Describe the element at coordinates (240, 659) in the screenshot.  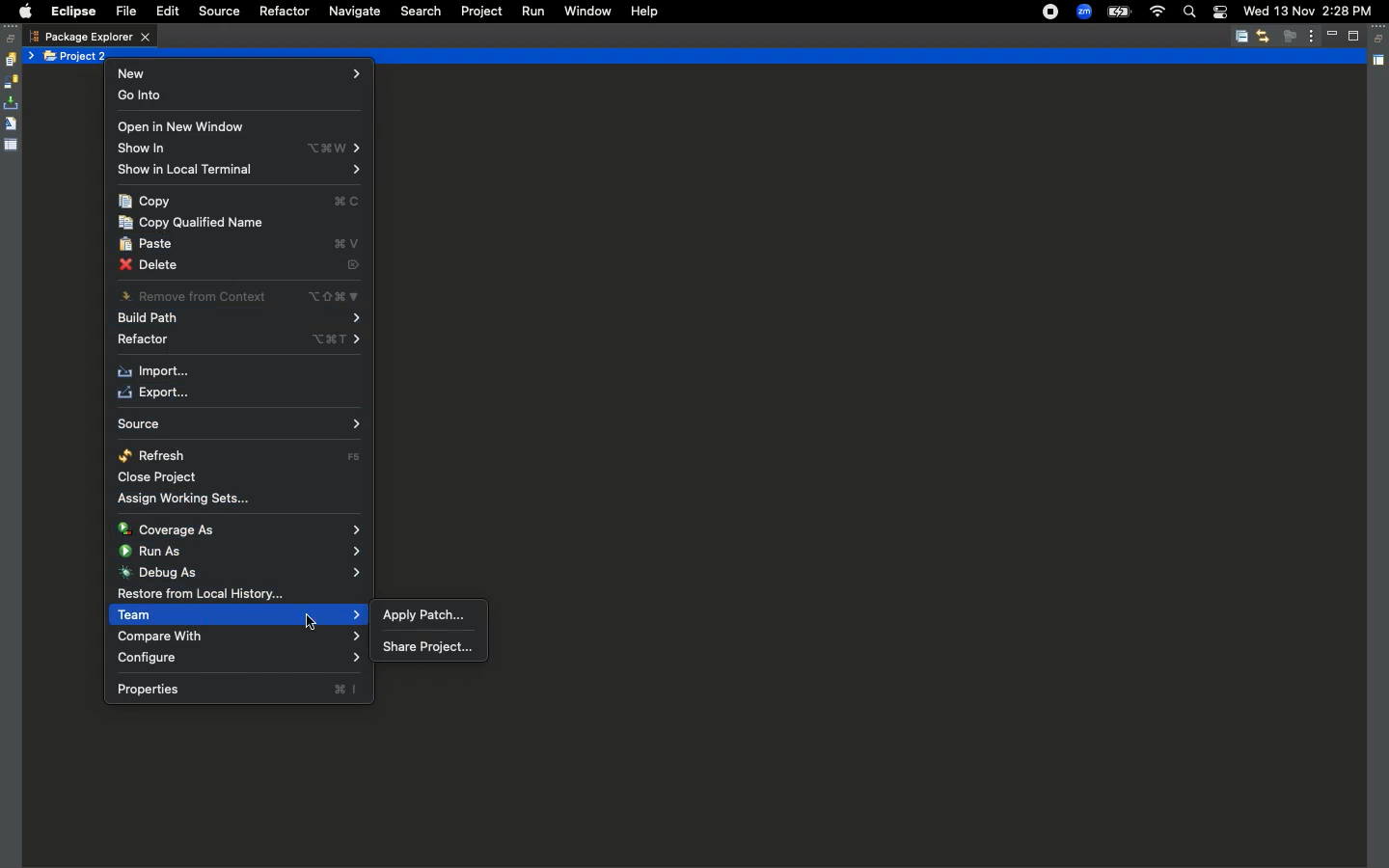
I see `Configure` at that location.